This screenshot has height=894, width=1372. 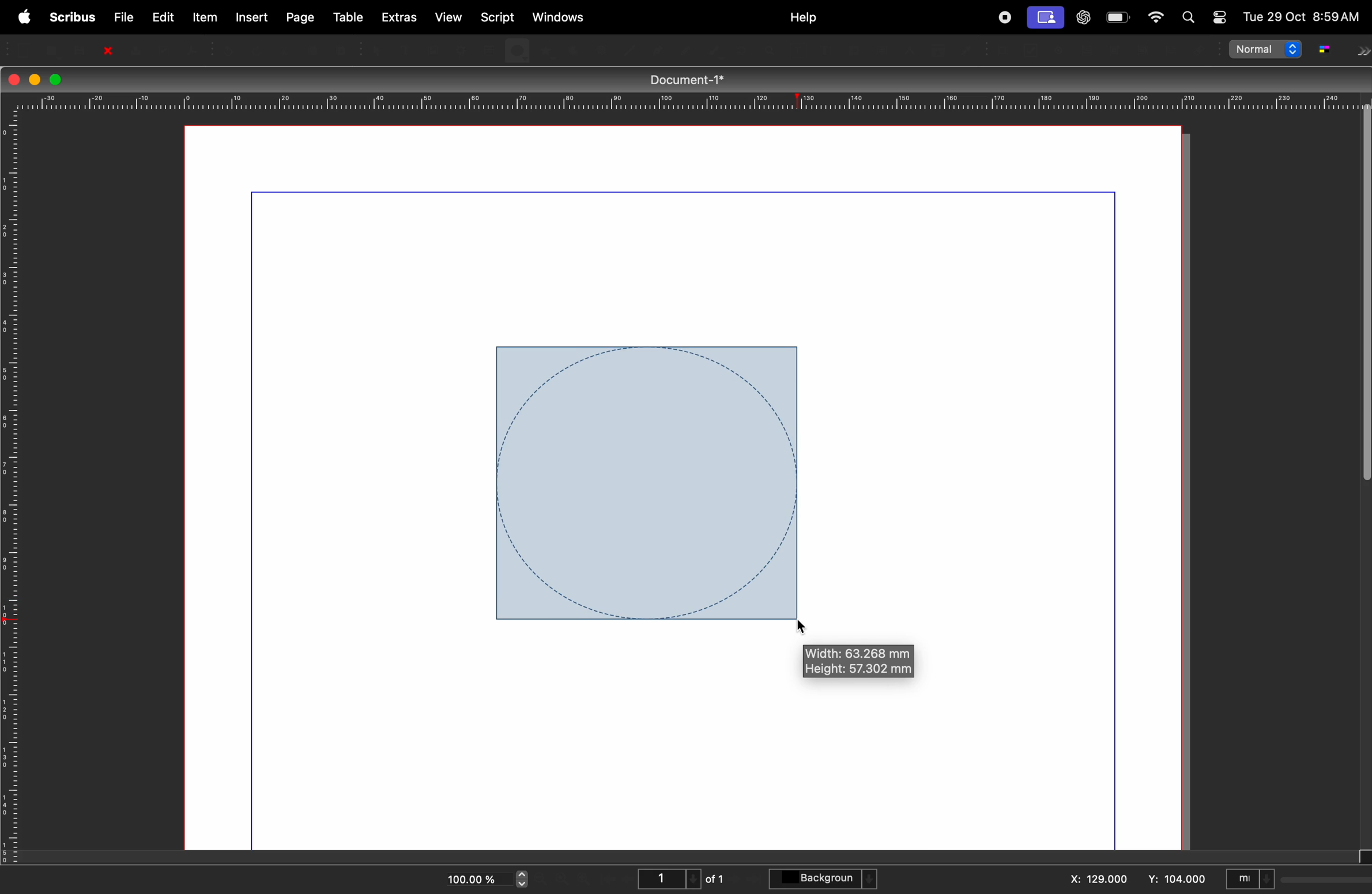 What do you see at coordinates (632, 50) in the screenshot?
I see `Line` at bounding box center [632, 50].